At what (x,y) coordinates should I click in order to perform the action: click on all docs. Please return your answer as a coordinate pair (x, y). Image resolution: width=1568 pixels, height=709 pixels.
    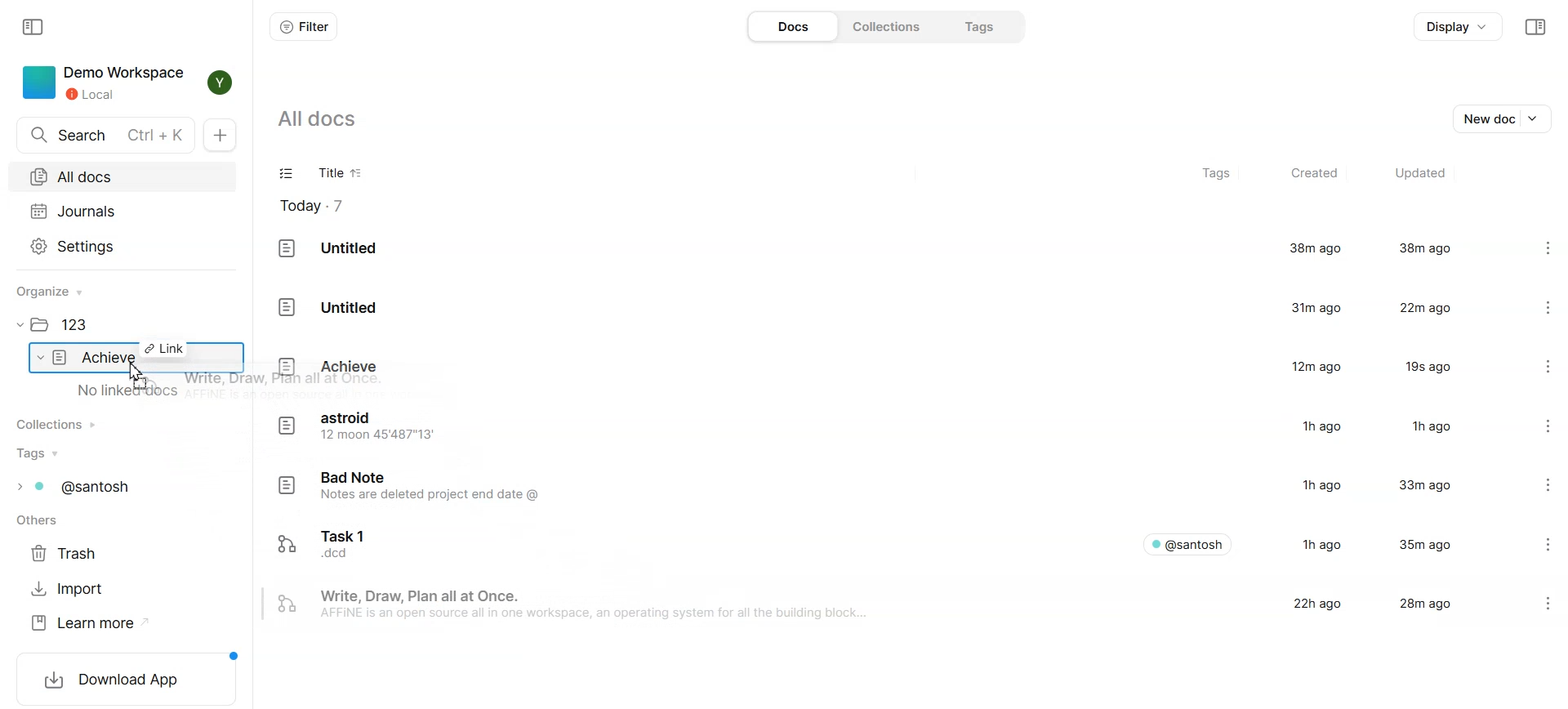
    Looking at the image, I should click on (328, 118).